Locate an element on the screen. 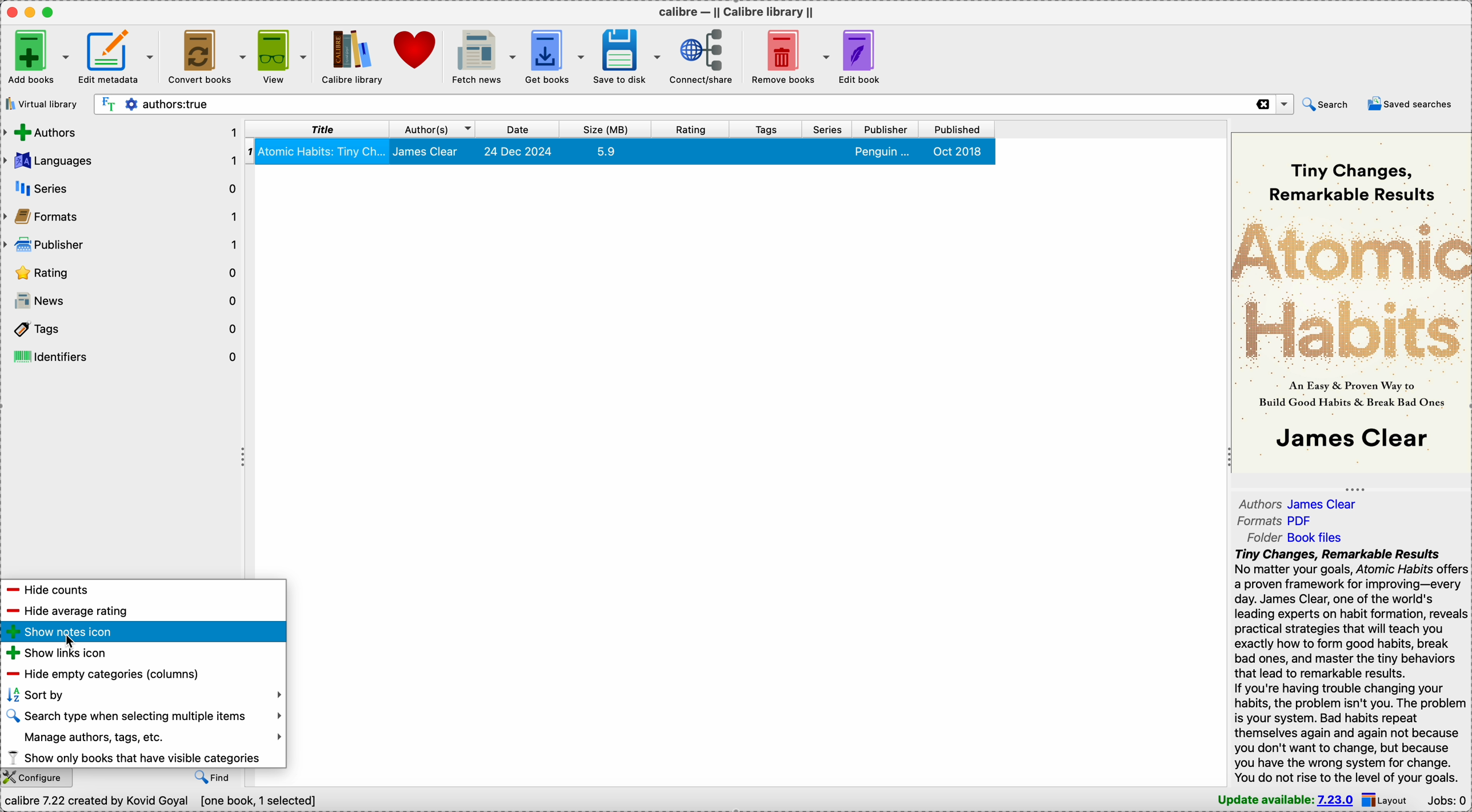   show notes icon is located at coordinates (143, 632).